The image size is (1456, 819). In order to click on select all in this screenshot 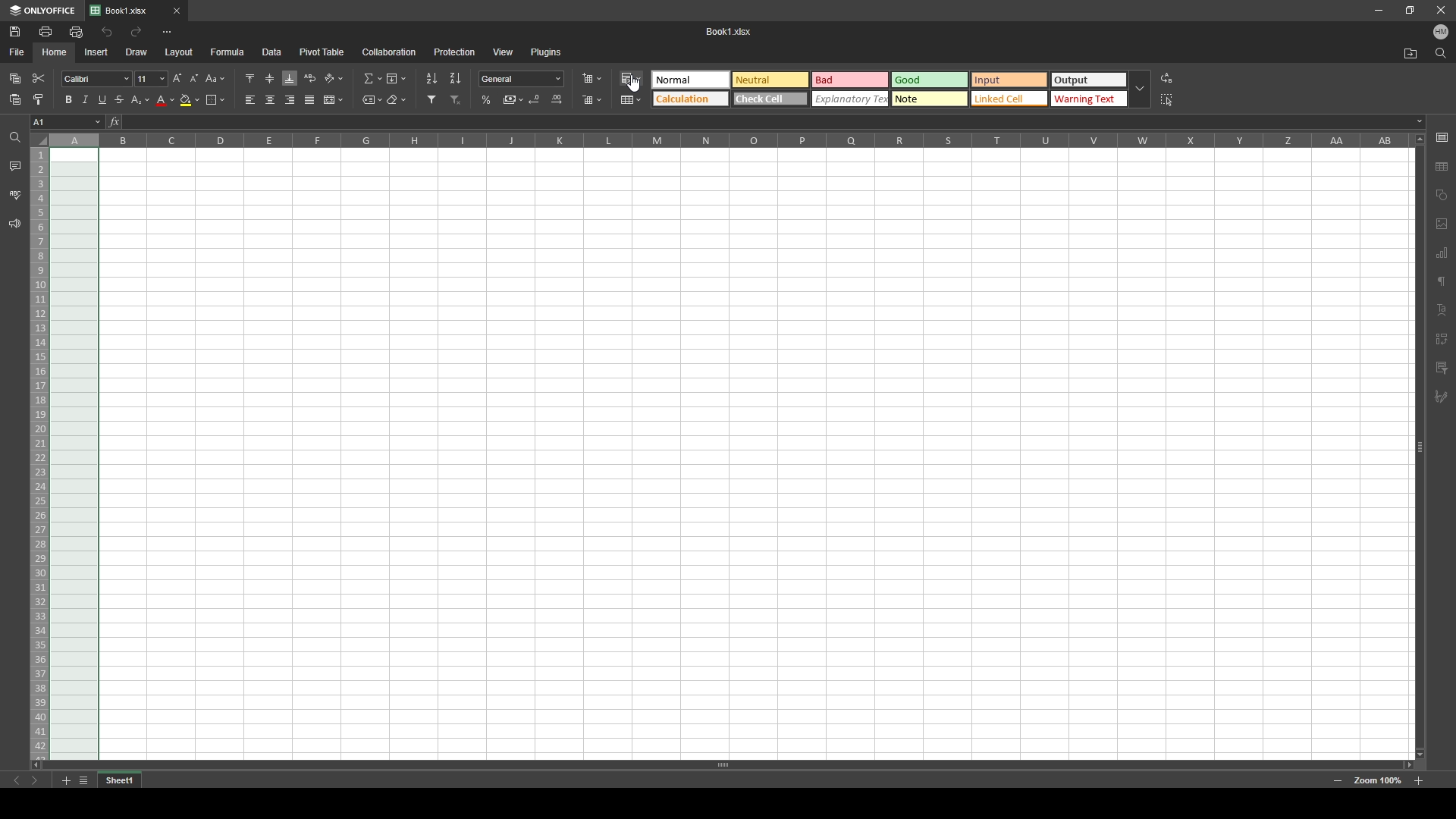, I will do `click(1169, 99)`.